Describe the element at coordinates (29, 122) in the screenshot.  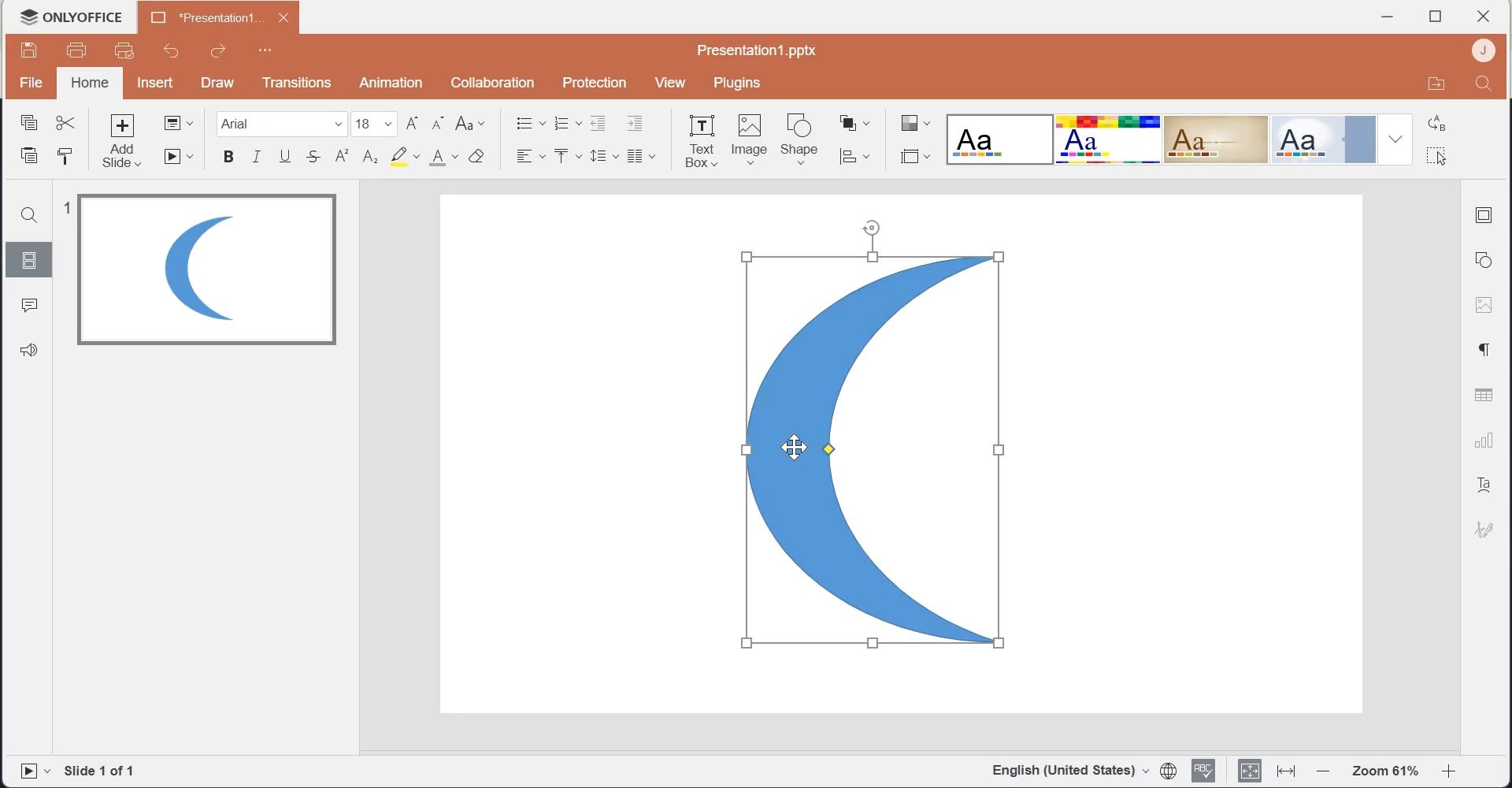
I see `Copy` at that location.